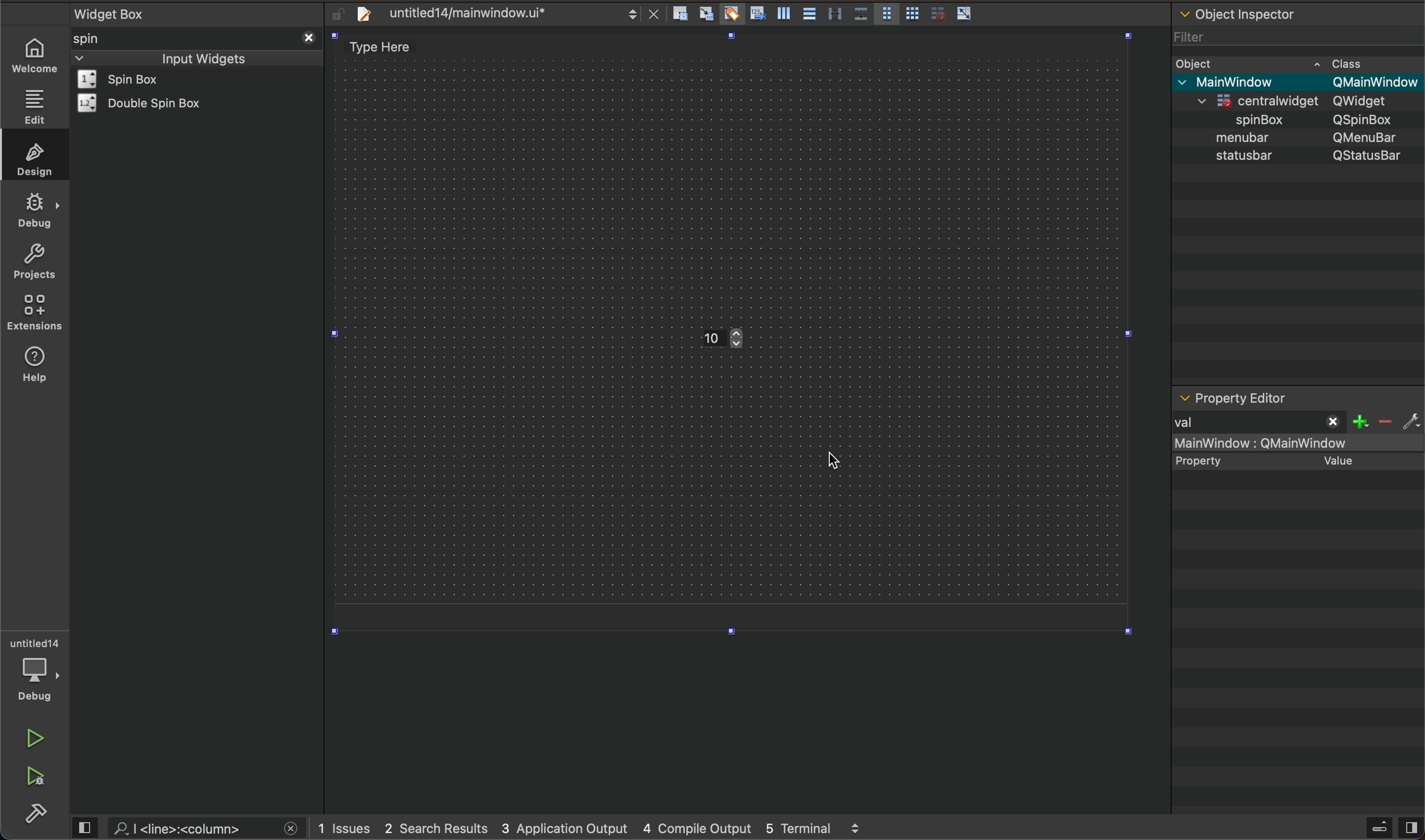 Image resolution: width=1425 pixels, height=840 pixels. What do you see at coordinates (200, 12) in the screenshot?
I see `widget box` at bounding box center [200, 12].